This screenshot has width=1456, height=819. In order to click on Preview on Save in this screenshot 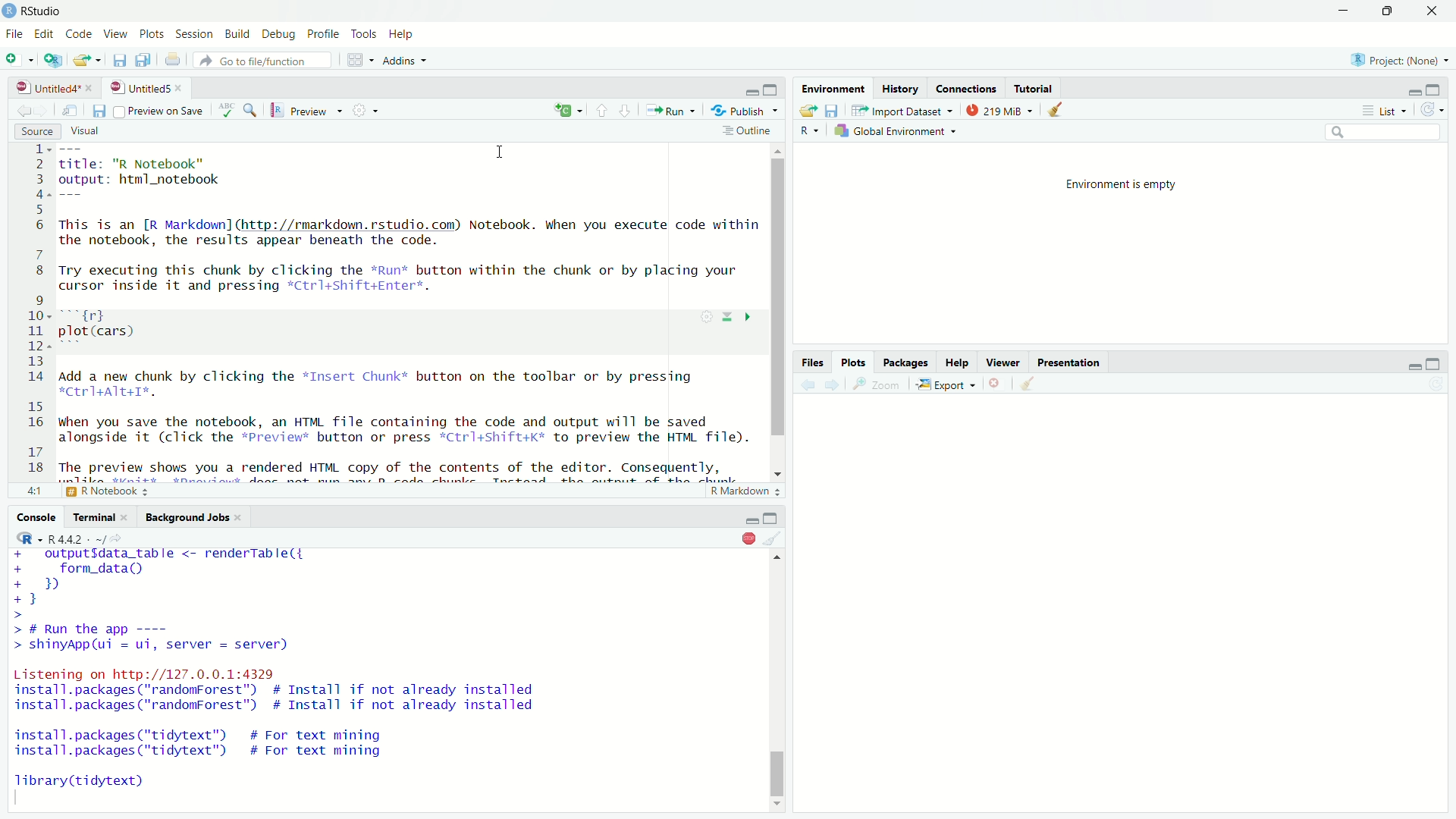, I will do `click(161, 110)`.